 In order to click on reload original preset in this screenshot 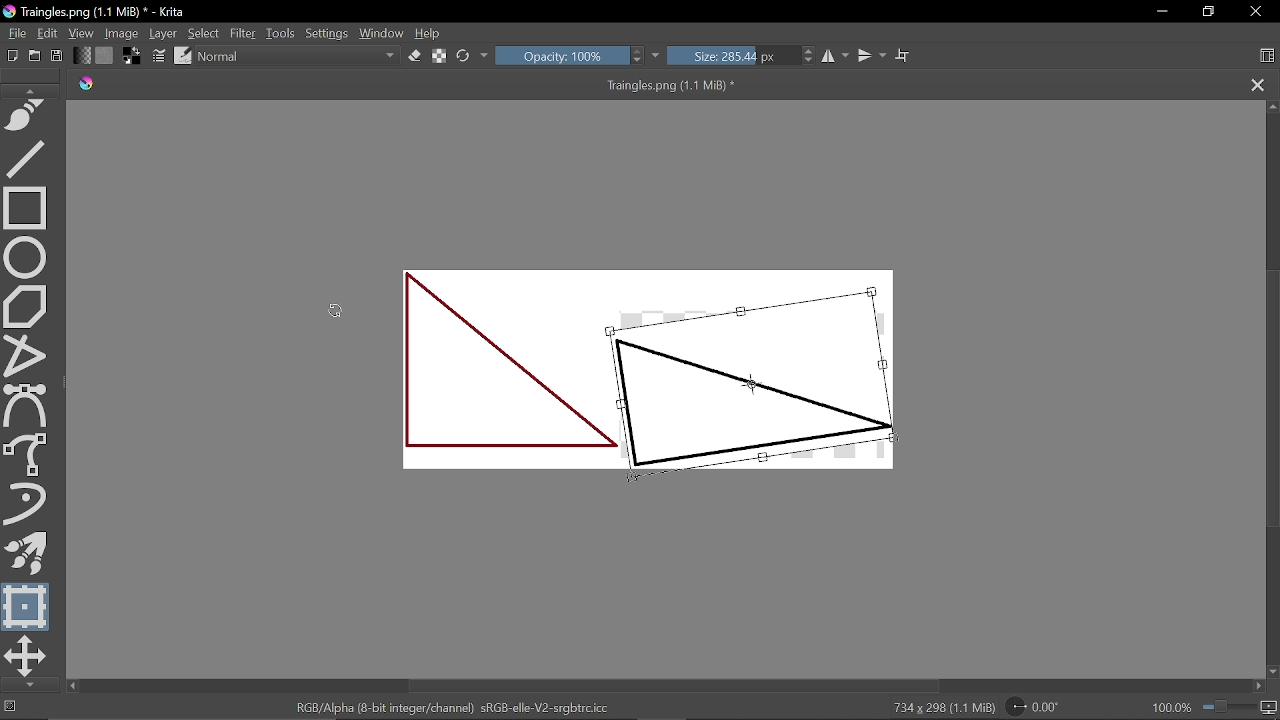, I will do `click(464, 57)`.